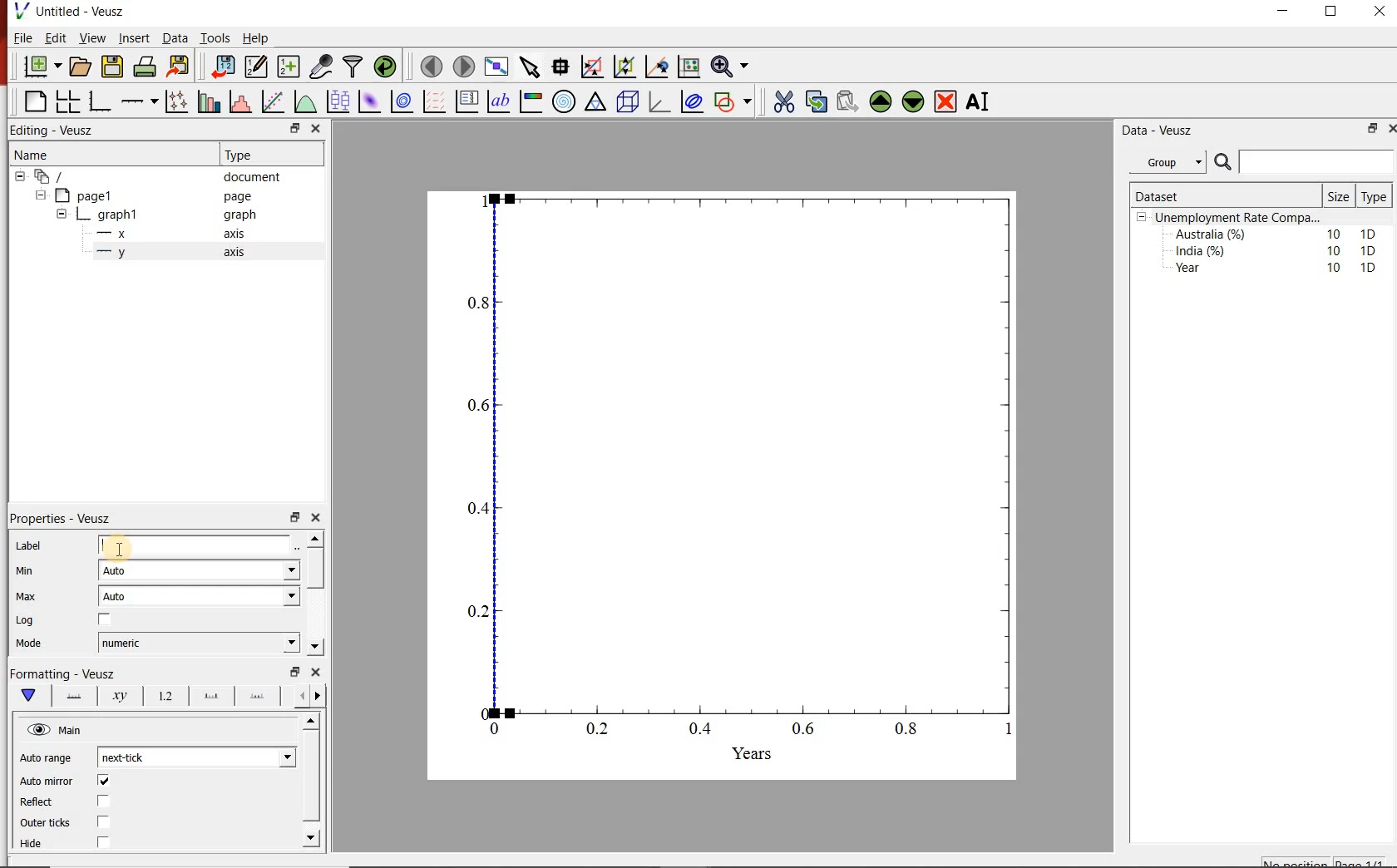  What do you see at coordinates (48, 760) in the screenshot?
I see `Auto range` at bounding box center [48, 760].